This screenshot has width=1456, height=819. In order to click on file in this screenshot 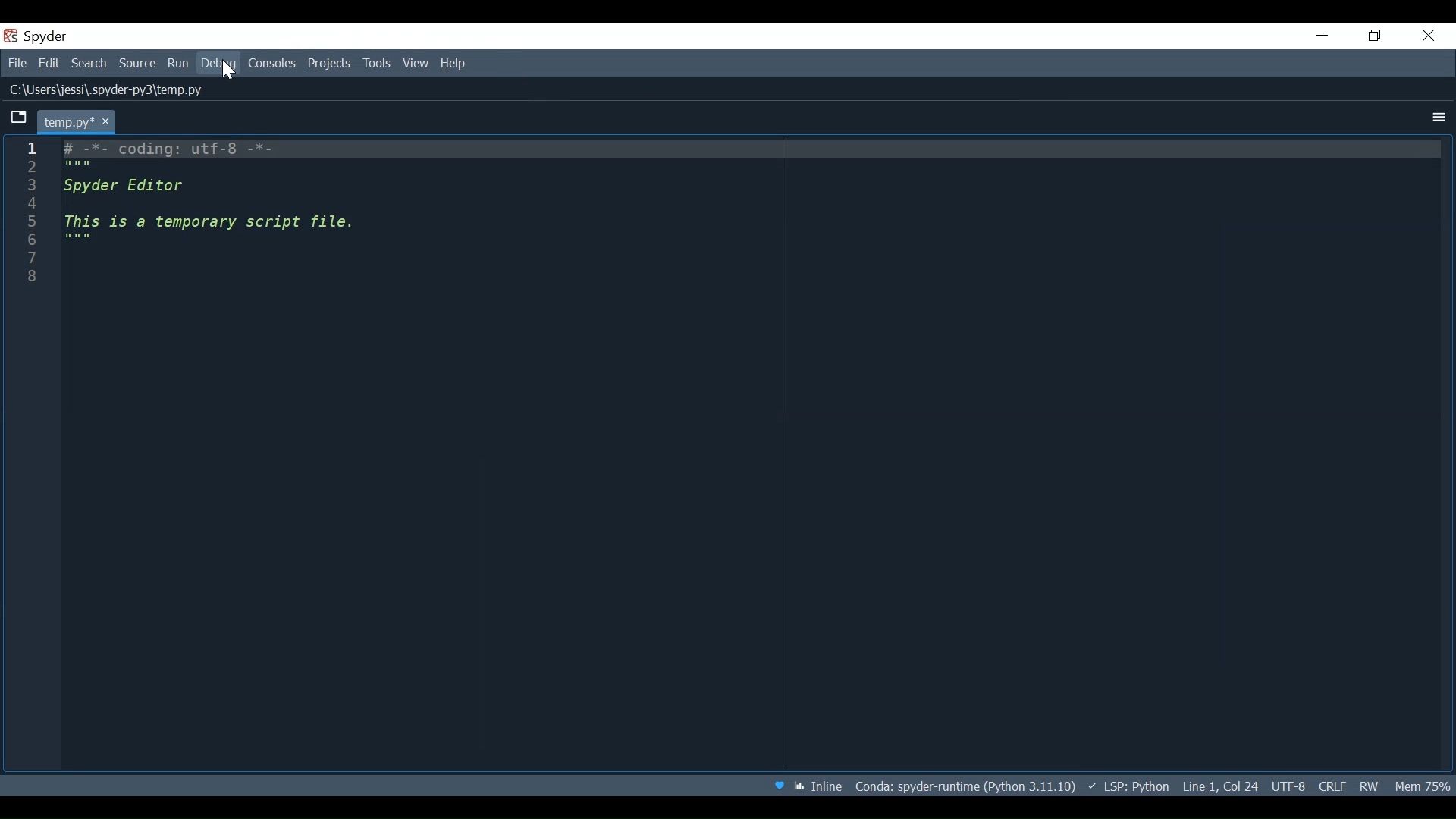, I will do `click(19, 64)`.